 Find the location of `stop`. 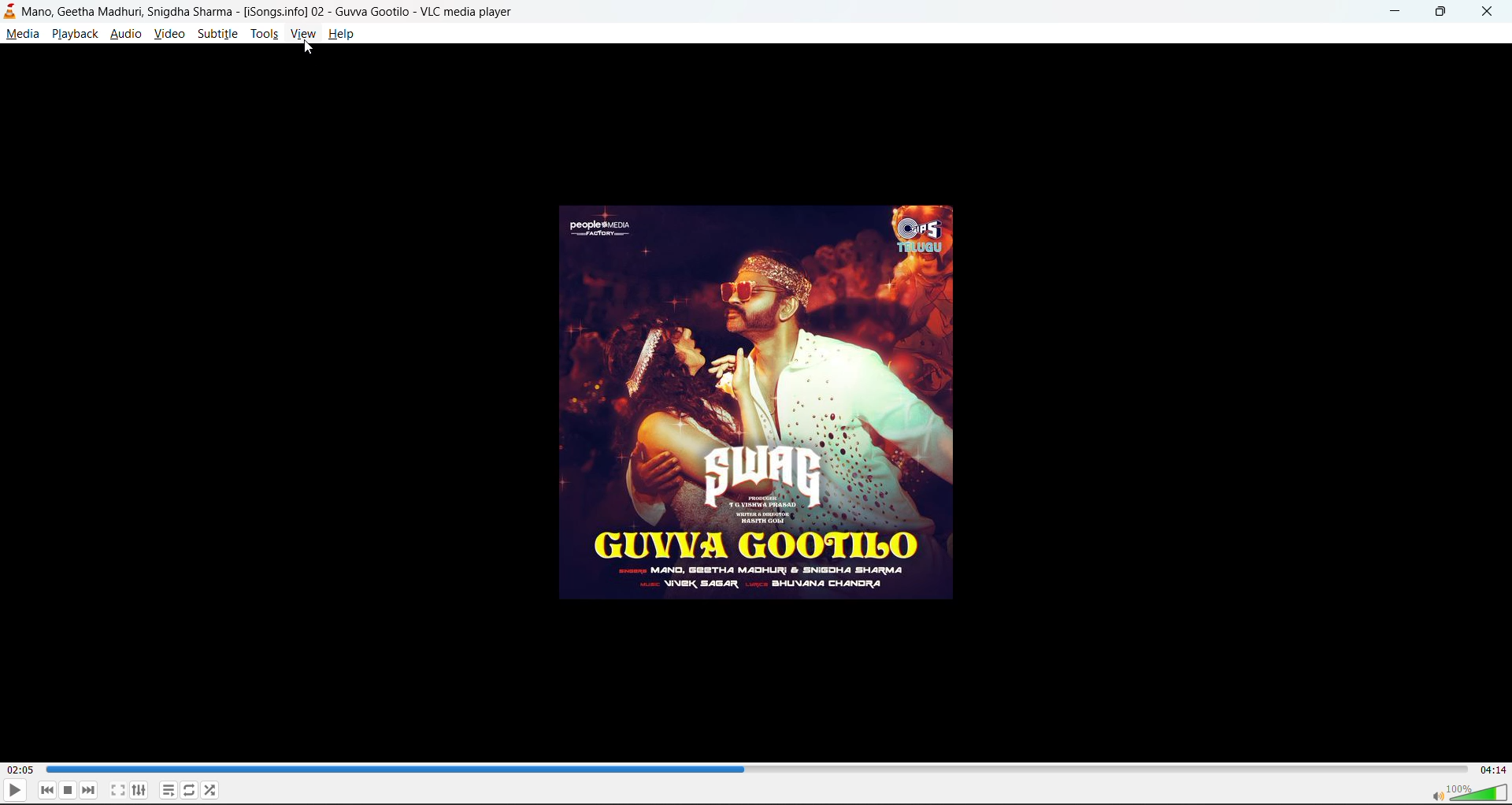

stop is located at coordinates (69, 790).